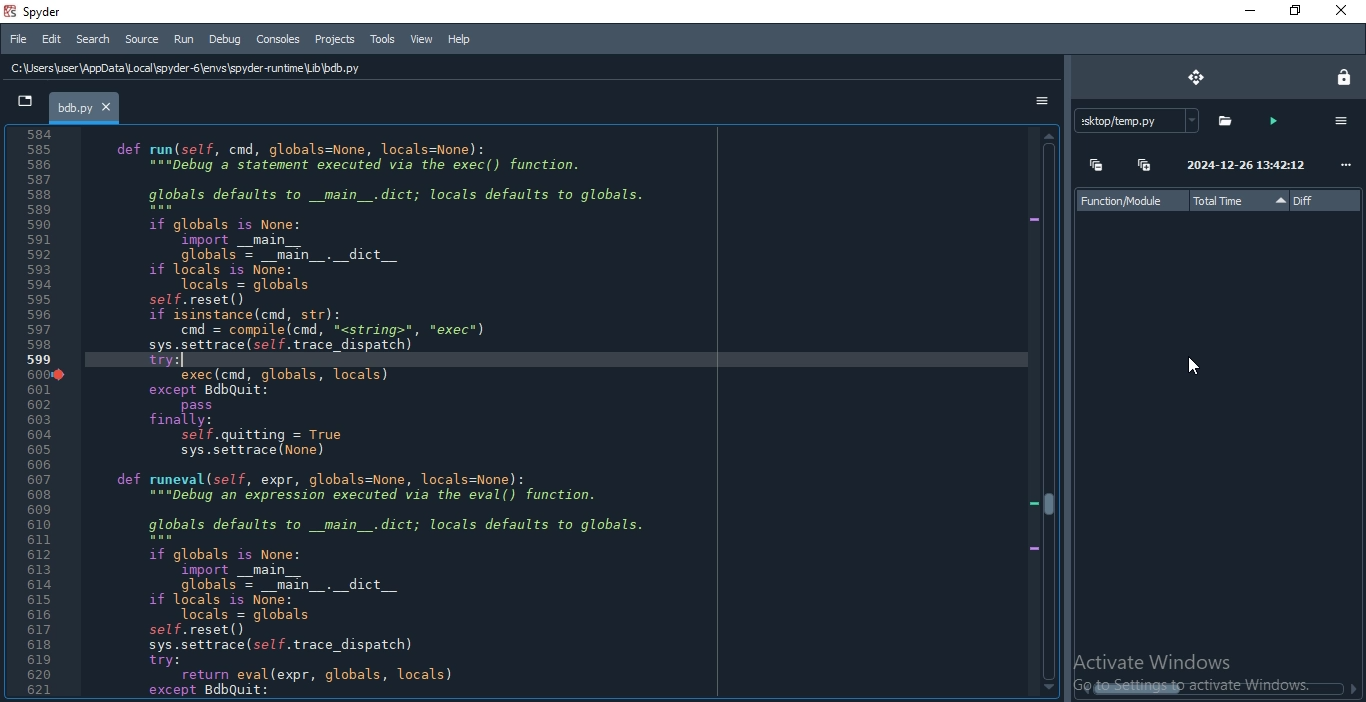 The width and height of the screenshot is (1366, 702). Describe the element at coordinates (224, 38) in the screenshot. I see `Debug` at that location.